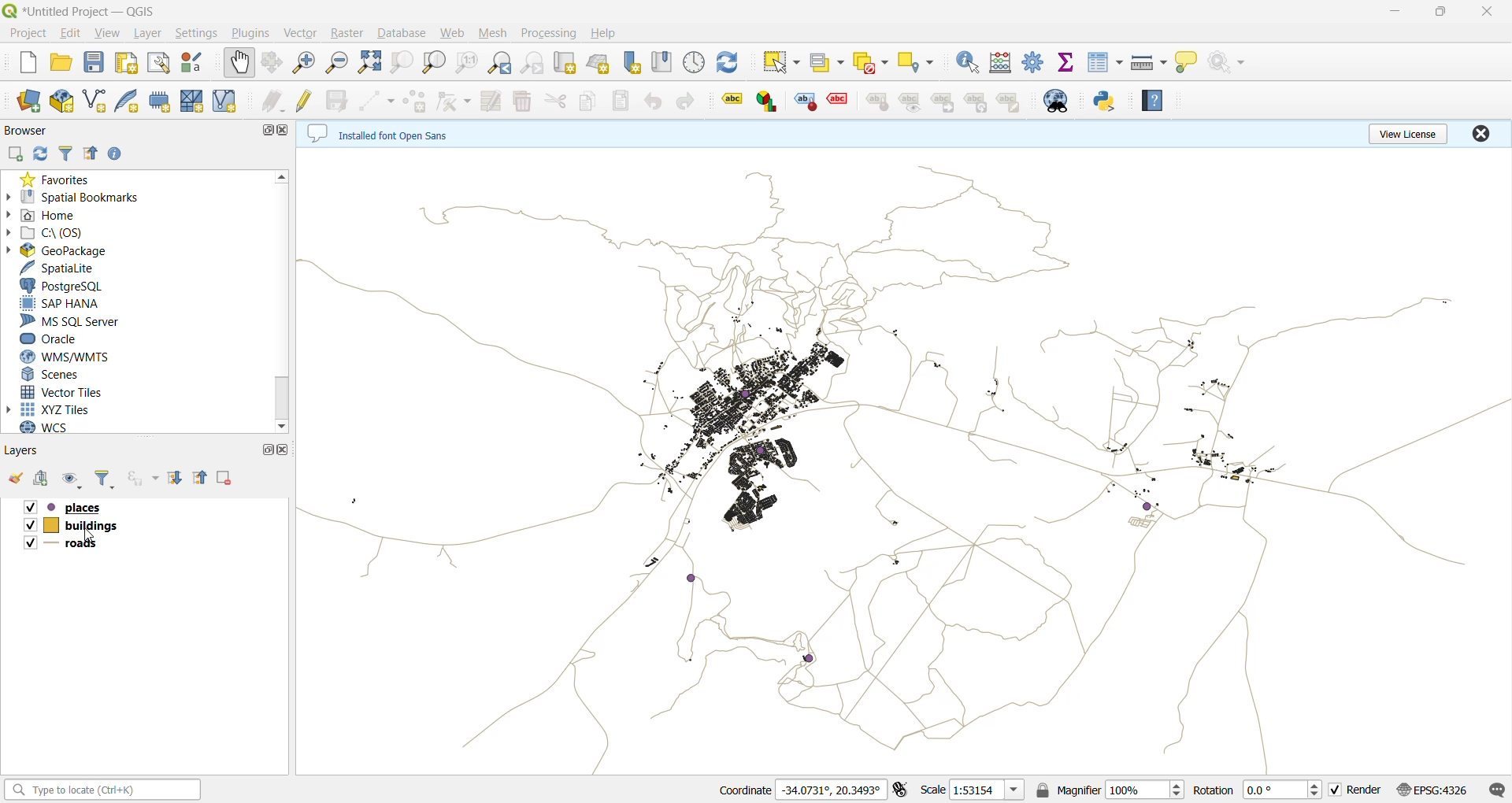  What do you see at coordinates (250, 31) in the screenshot?
I see `plugins` at bounding box center [250, 31].